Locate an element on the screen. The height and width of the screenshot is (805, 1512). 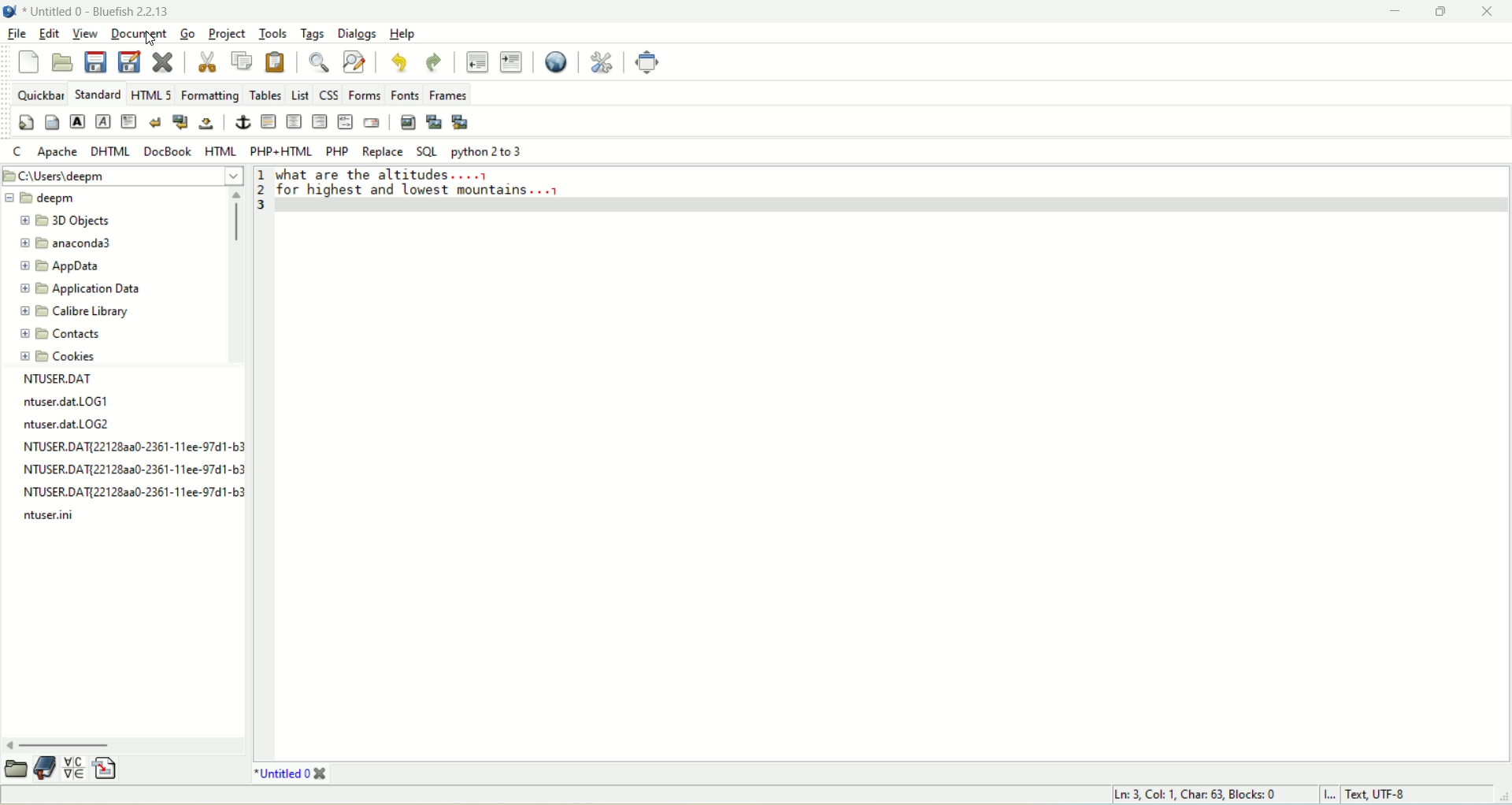
NTUSER.DAT{22128aa0-2361-11ee-97d1-b3 is located at coordinates (131, 494).